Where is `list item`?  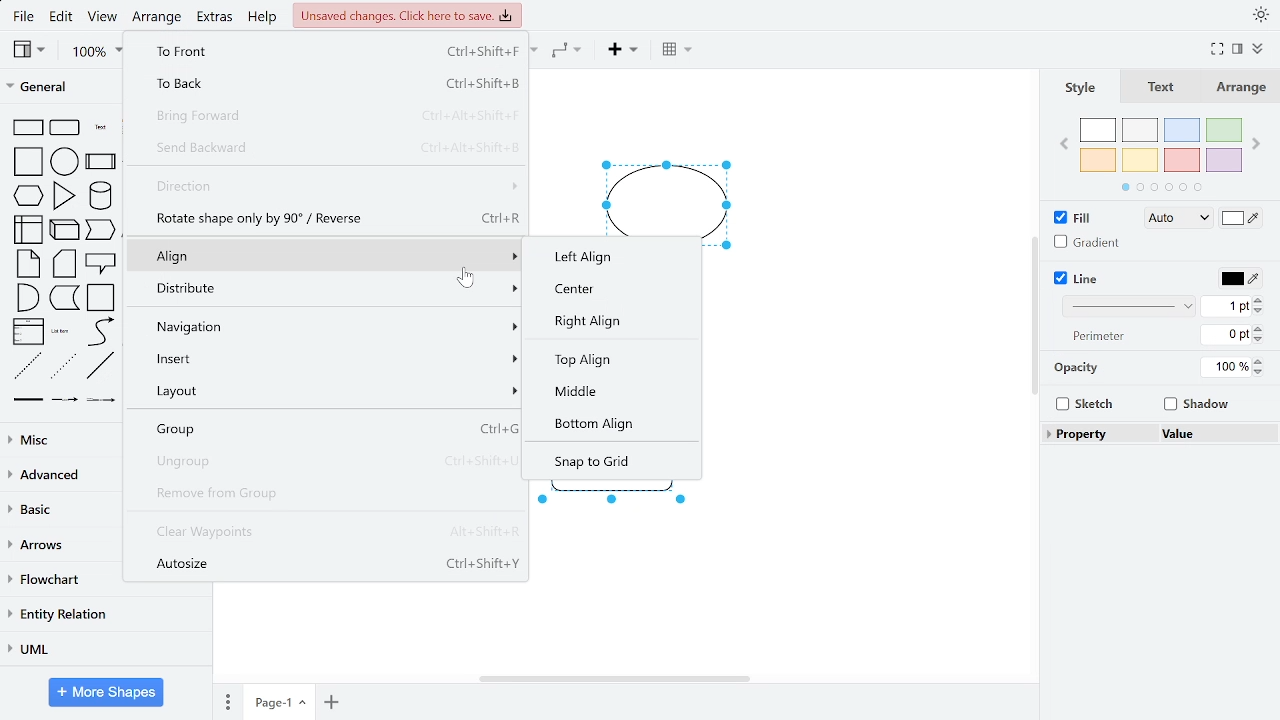 list item is located at coordinates (62, 332).